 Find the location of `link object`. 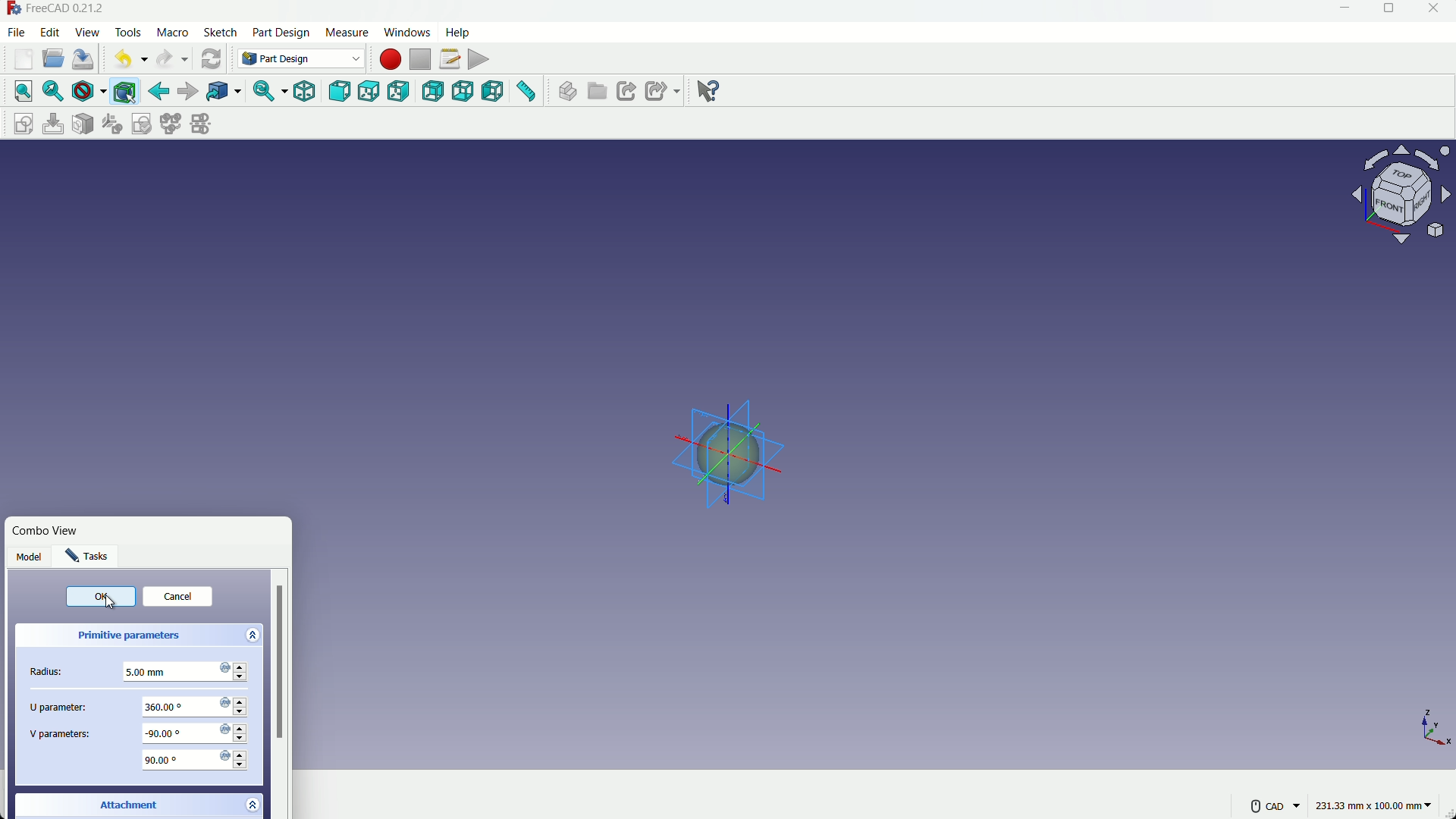

link object is located at coordinates (224, 92).